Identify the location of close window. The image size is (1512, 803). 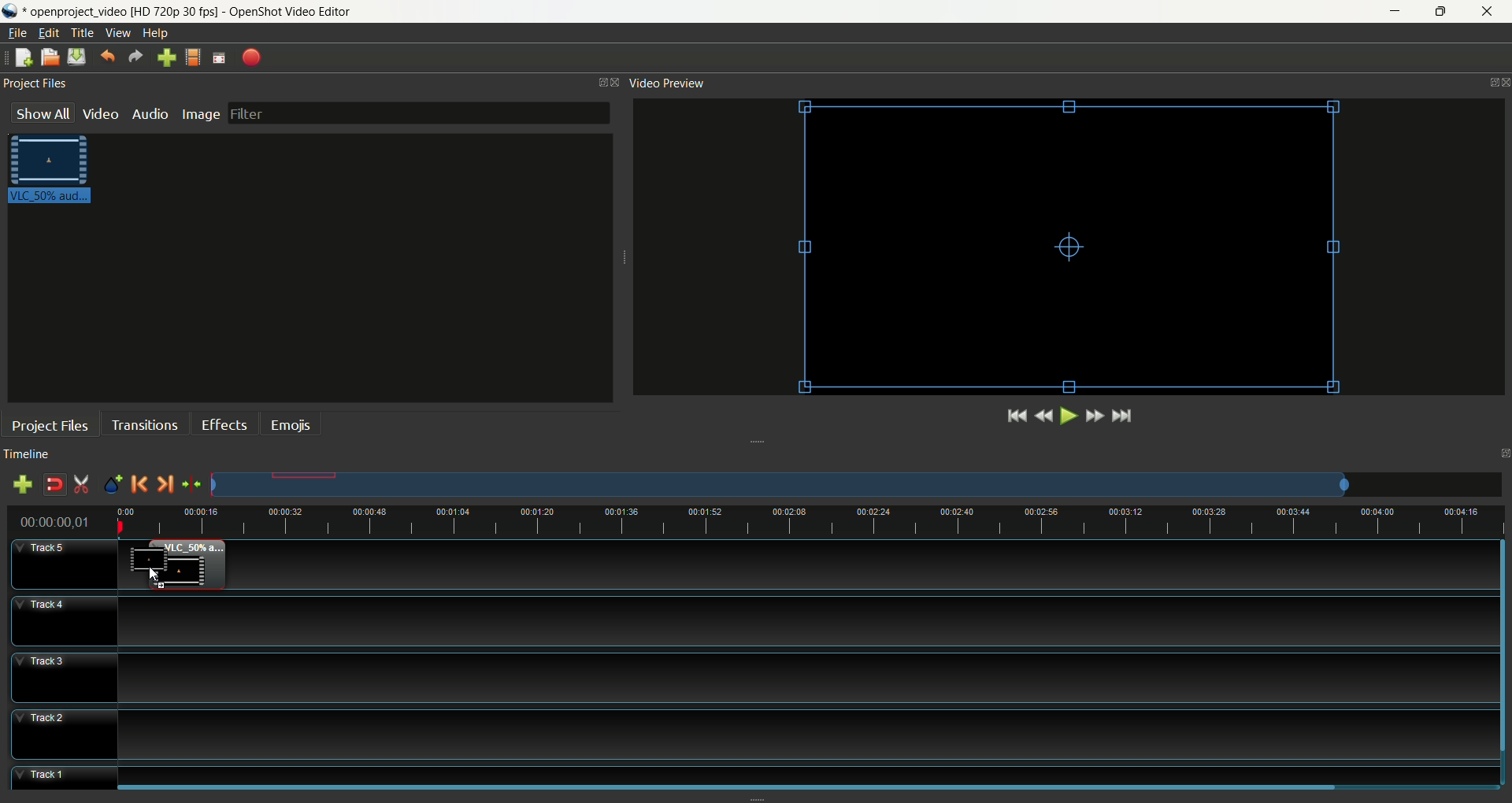
(618, 81).